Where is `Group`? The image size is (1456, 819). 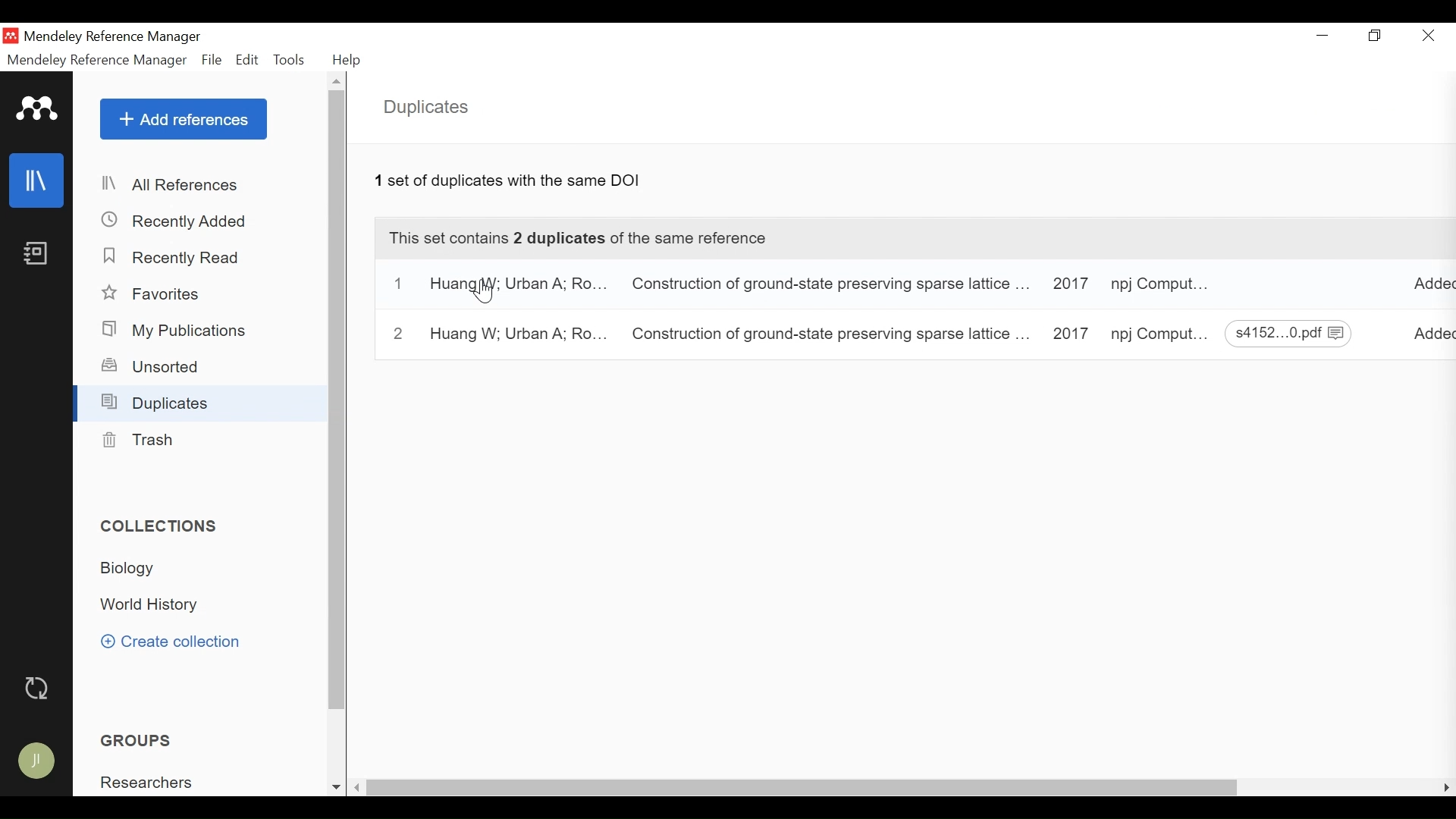
Group is located at coordinates (147, 781).